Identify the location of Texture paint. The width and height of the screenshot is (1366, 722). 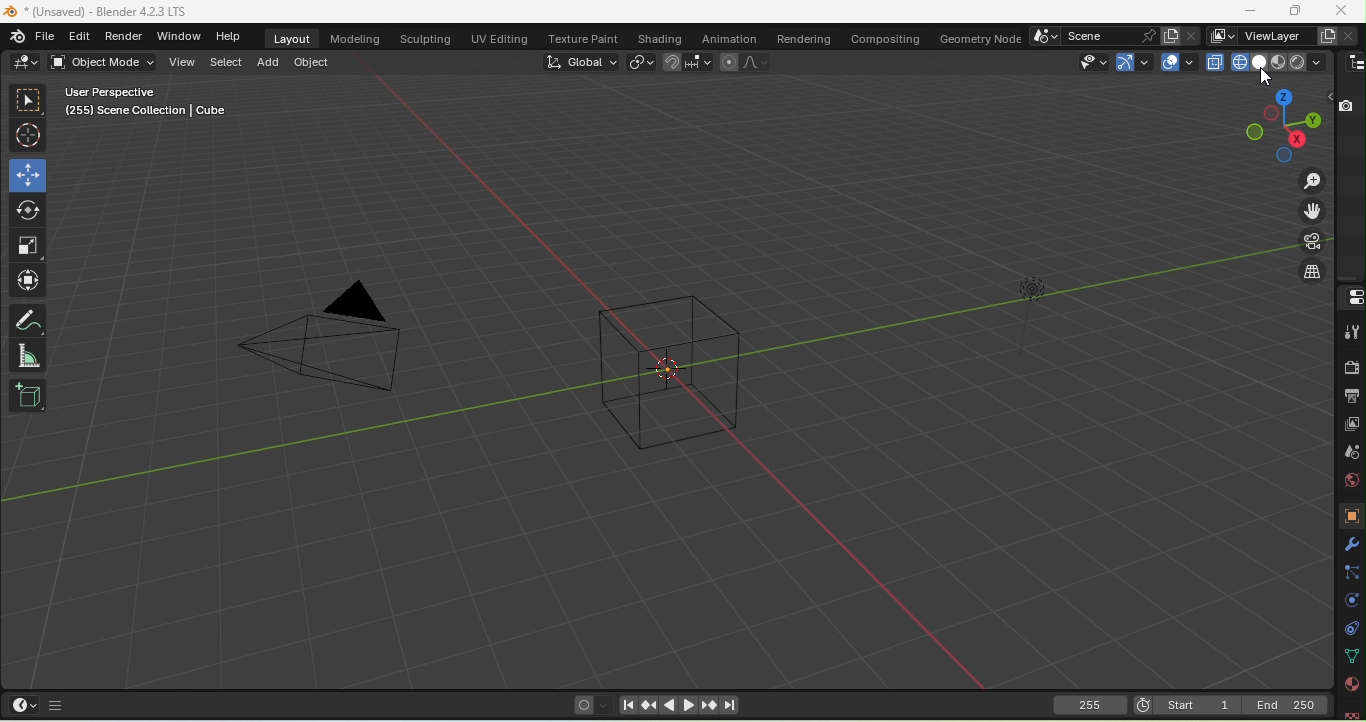
(583, 36).